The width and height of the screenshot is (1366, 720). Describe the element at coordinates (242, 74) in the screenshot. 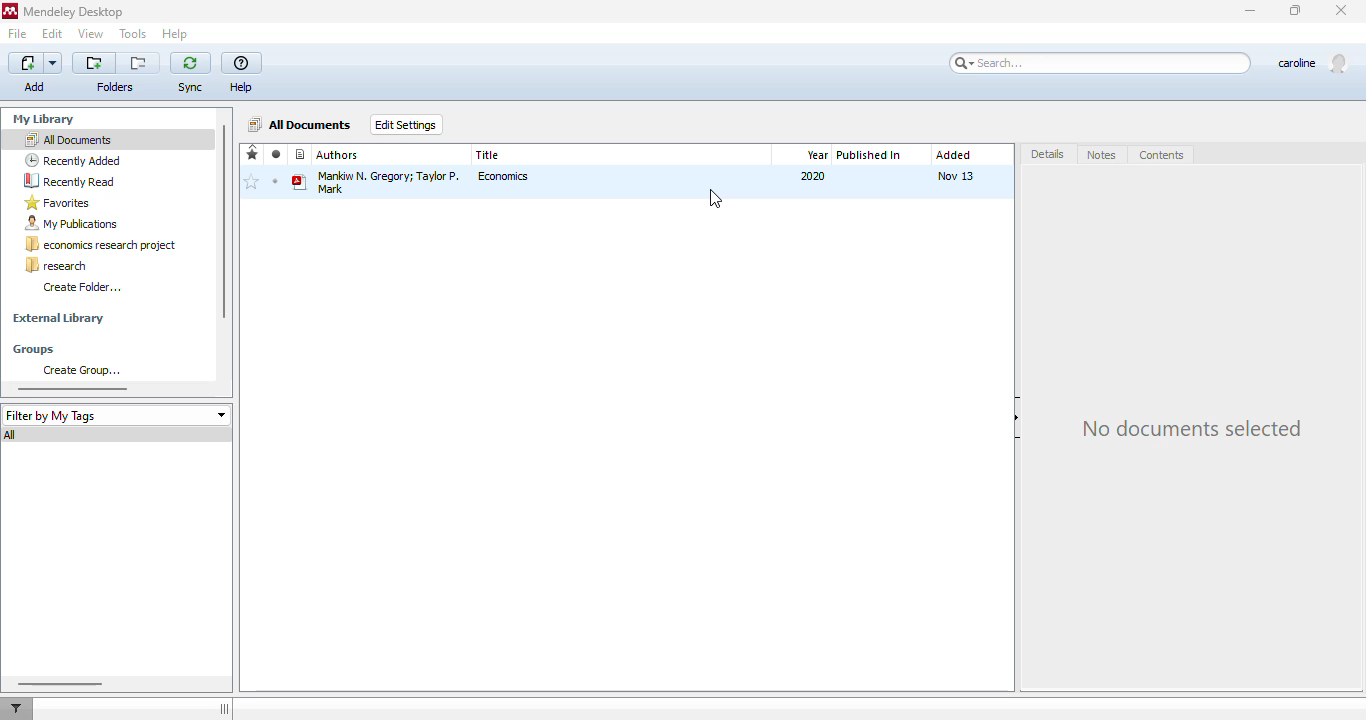

I see `help` at that location.